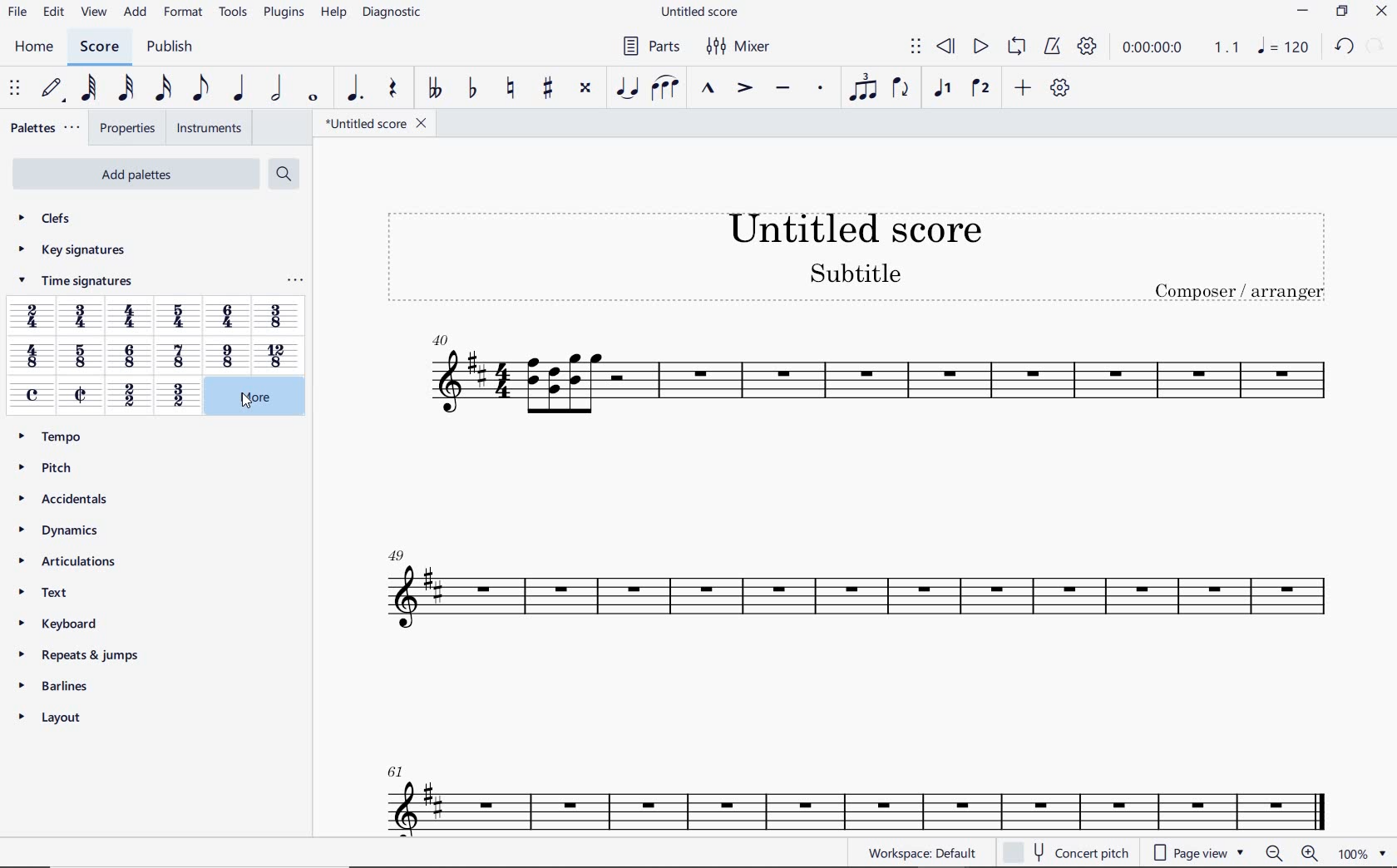 This screenshot has height=868, width=1397. Describe the element at coordinates (135, 175) in the screenshot. I see `ADD PALETTES` at that location.